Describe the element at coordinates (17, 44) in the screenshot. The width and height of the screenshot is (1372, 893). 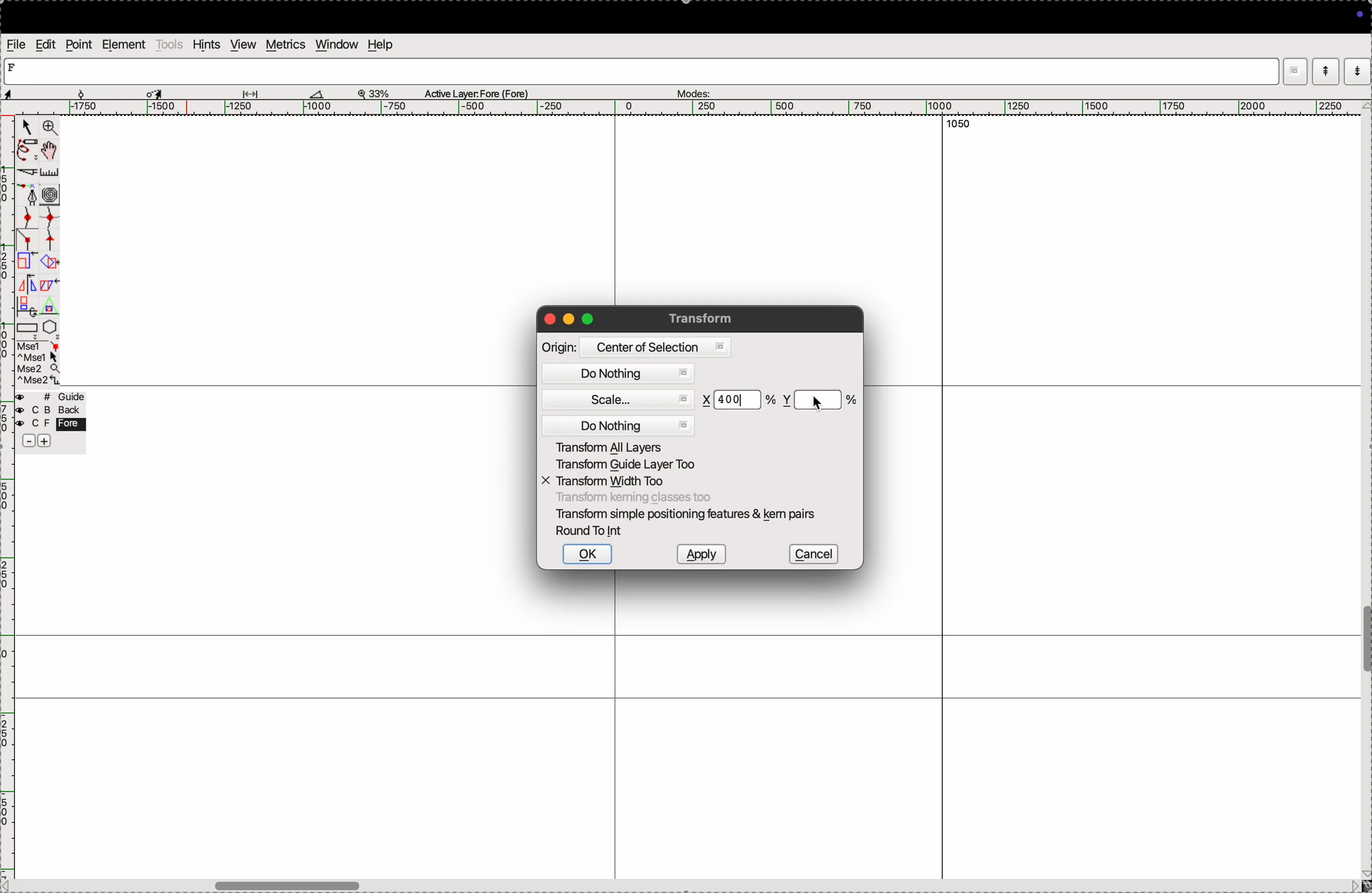
I see `file` at that location.